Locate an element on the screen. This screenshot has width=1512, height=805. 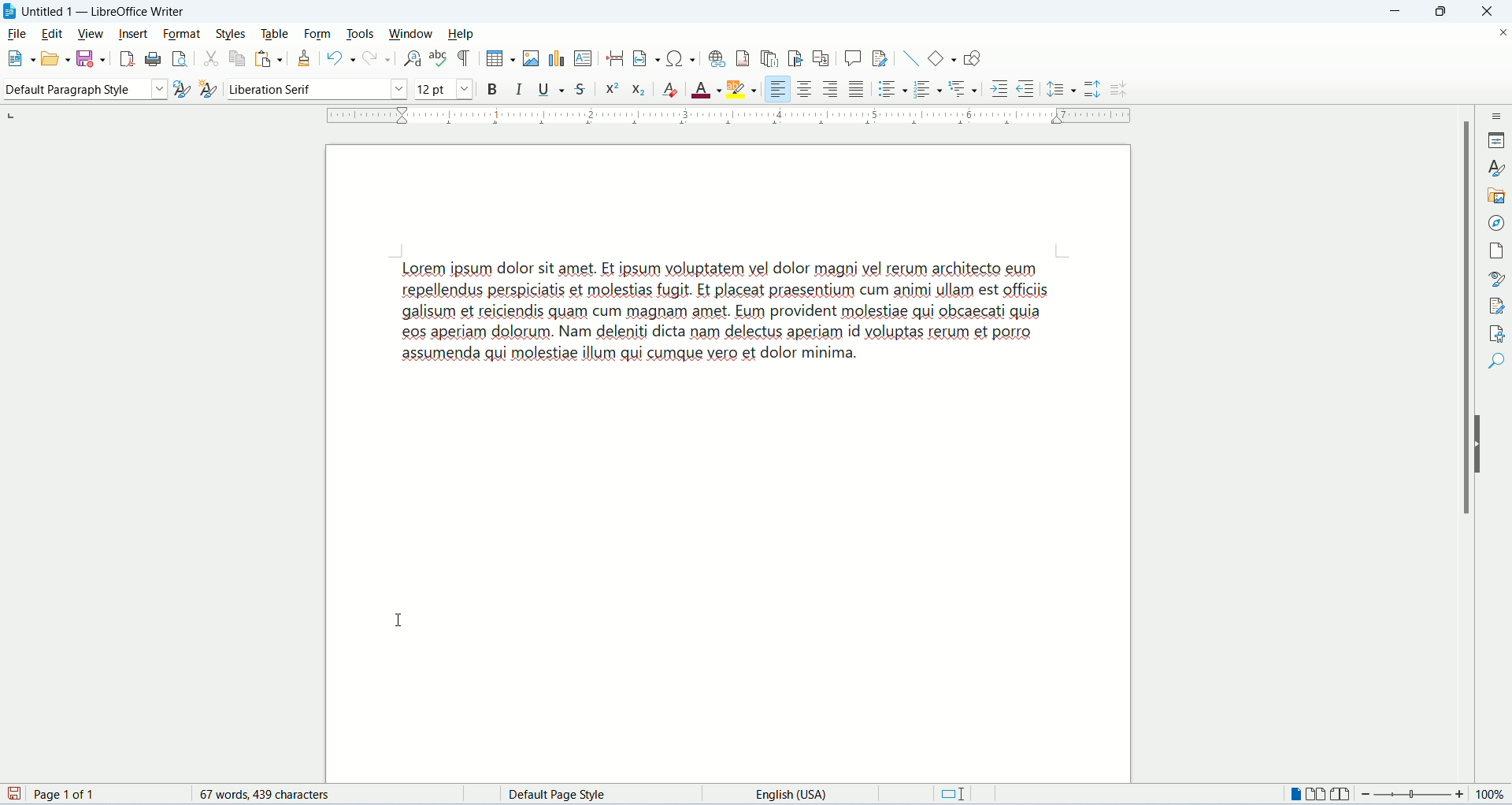
language is located at coordinates (793, 796).